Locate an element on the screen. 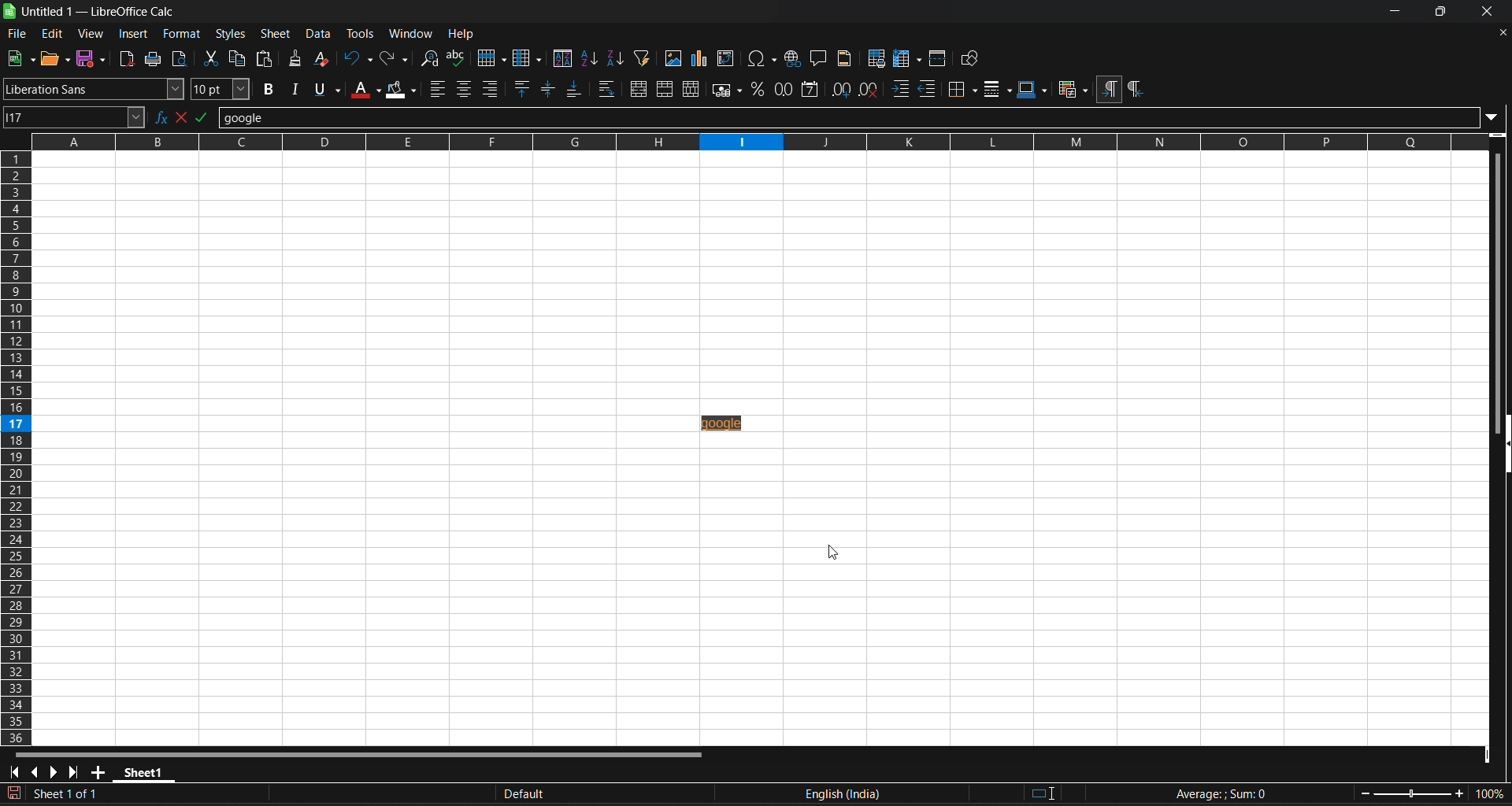 This screenshot has height=806, width=1512. align left is located at coordinates (439, 89).